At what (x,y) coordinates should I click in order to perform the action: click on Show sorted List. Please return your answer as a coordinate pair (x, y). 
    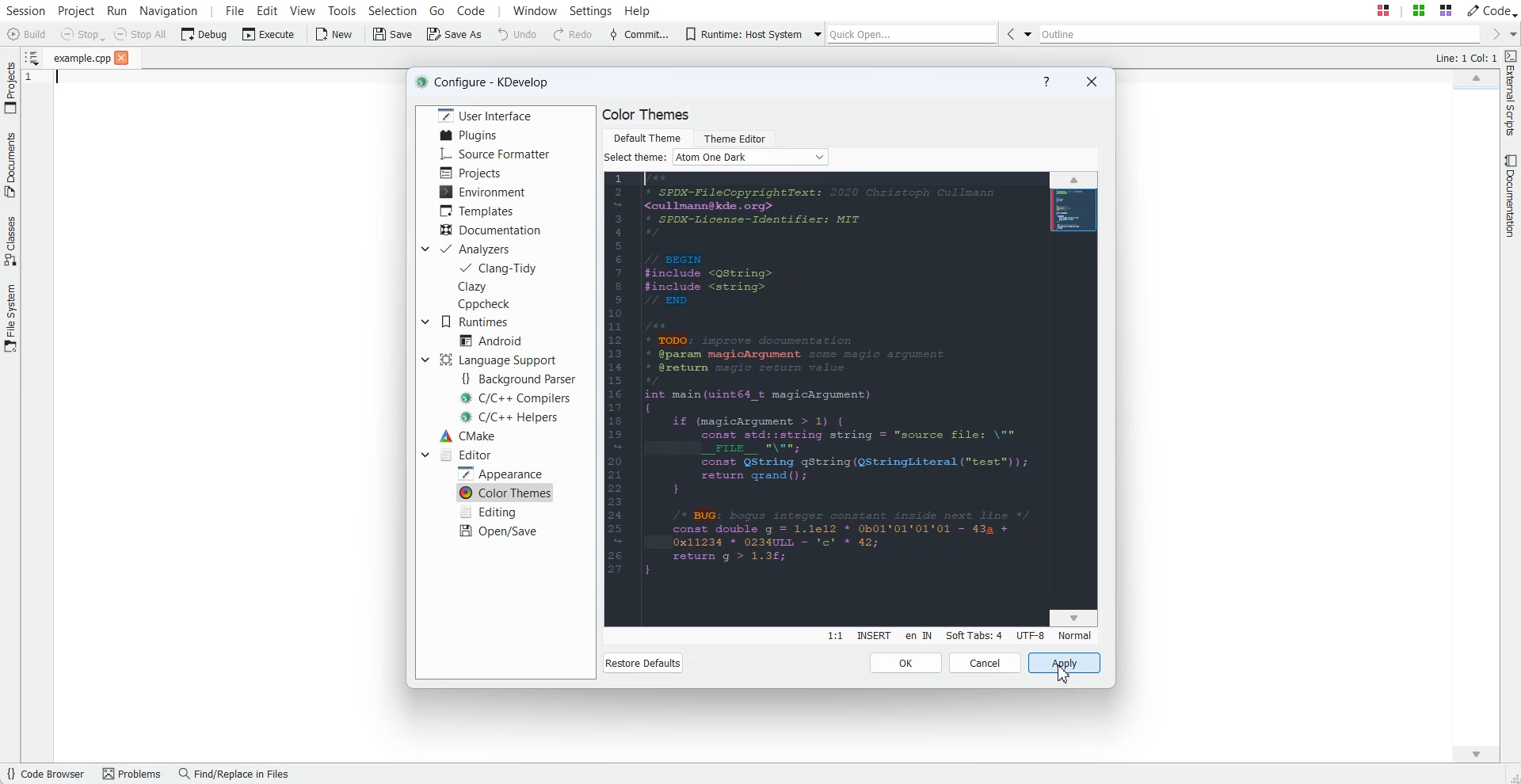
    Looking at the image, I should click on (31, 57).